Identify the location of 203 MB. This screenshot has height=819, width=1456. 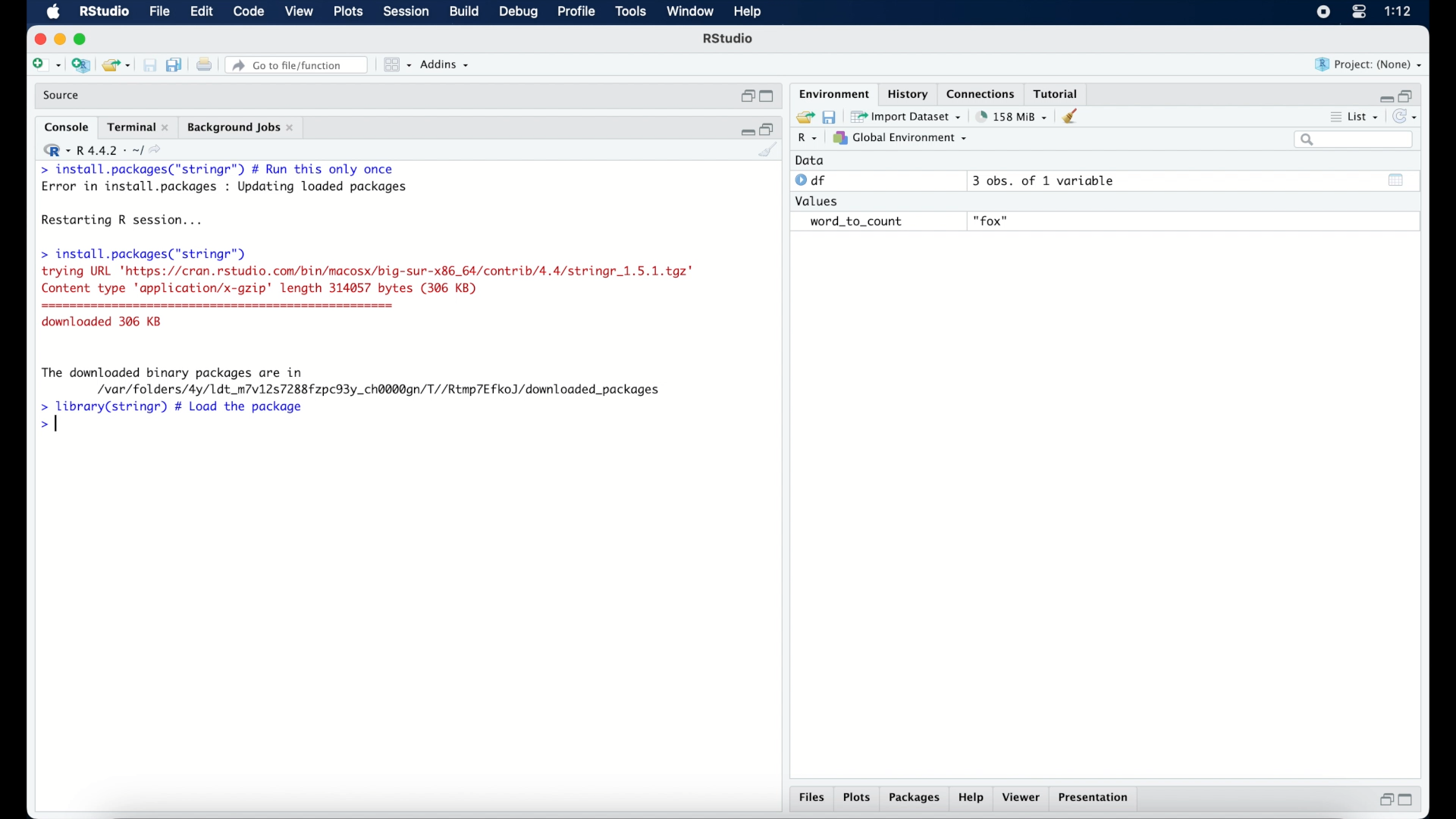
(1013, 117).